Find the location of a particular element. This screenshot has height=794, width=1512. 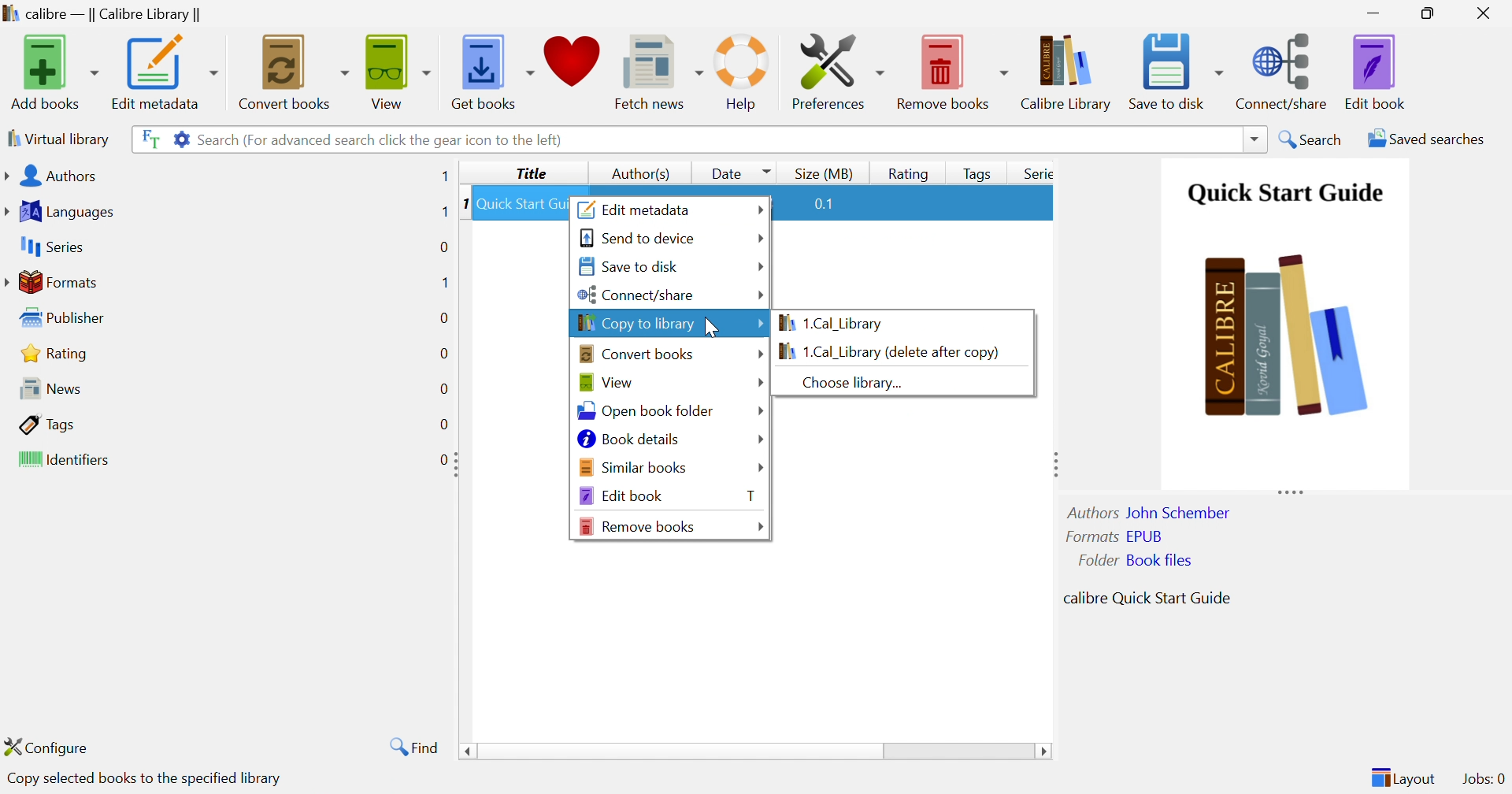

1 is located at coordinates (444, 212).